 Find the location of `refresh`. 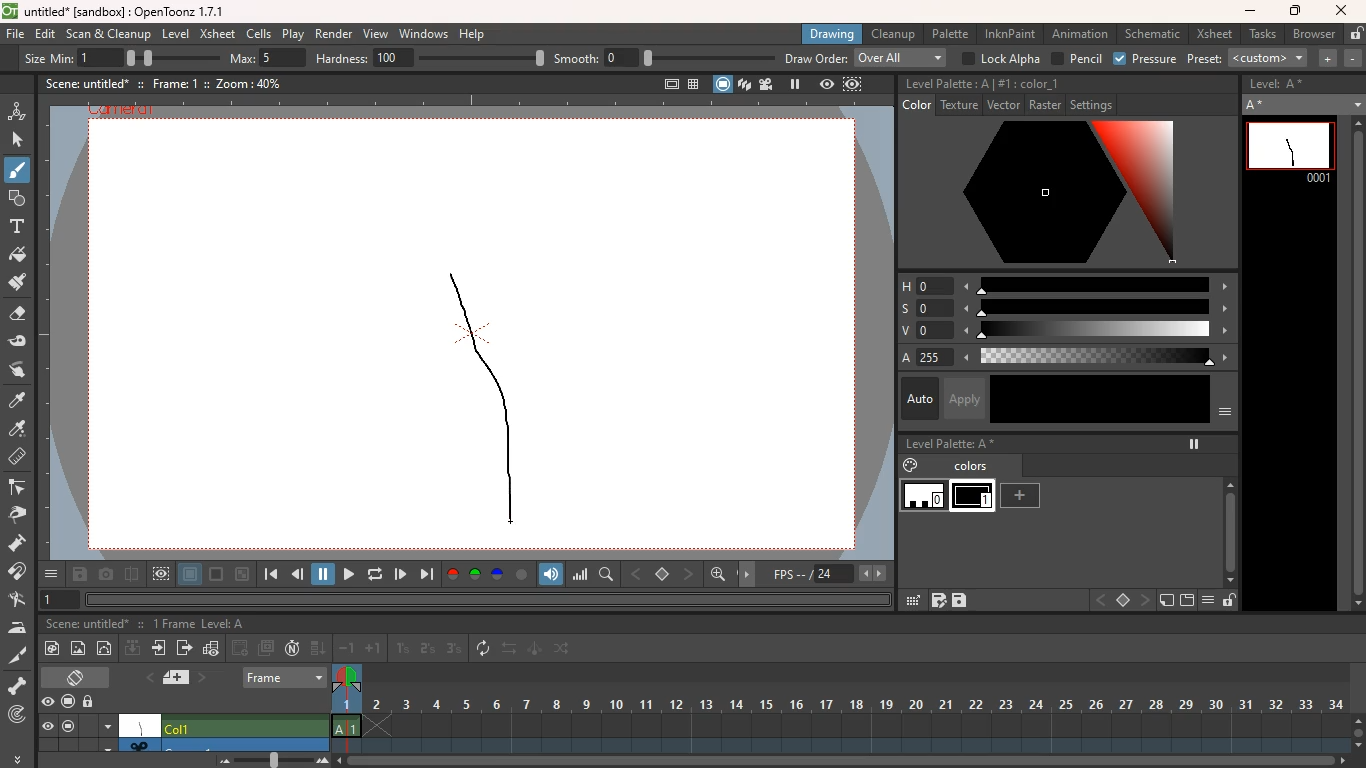

refresh is located at coordinates (484, 648).